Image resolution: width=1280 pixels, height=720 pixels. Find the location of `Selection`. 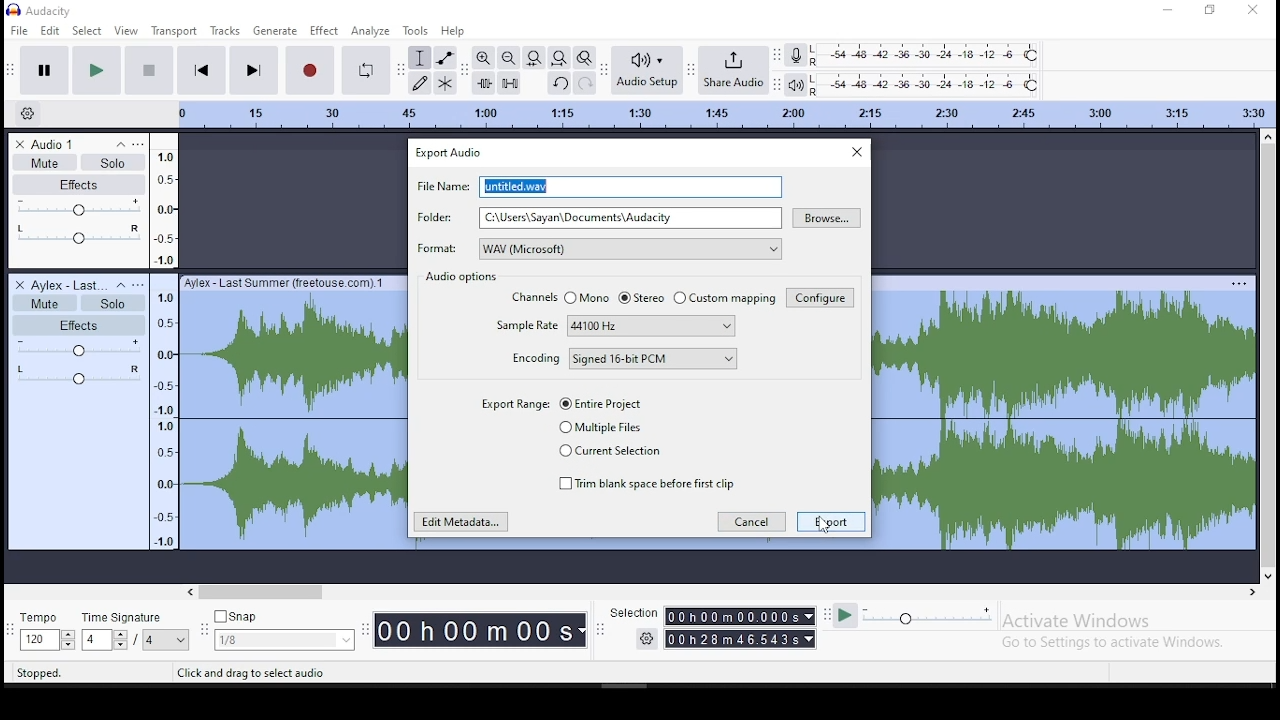

Selection is located at coordinates (634, 615).